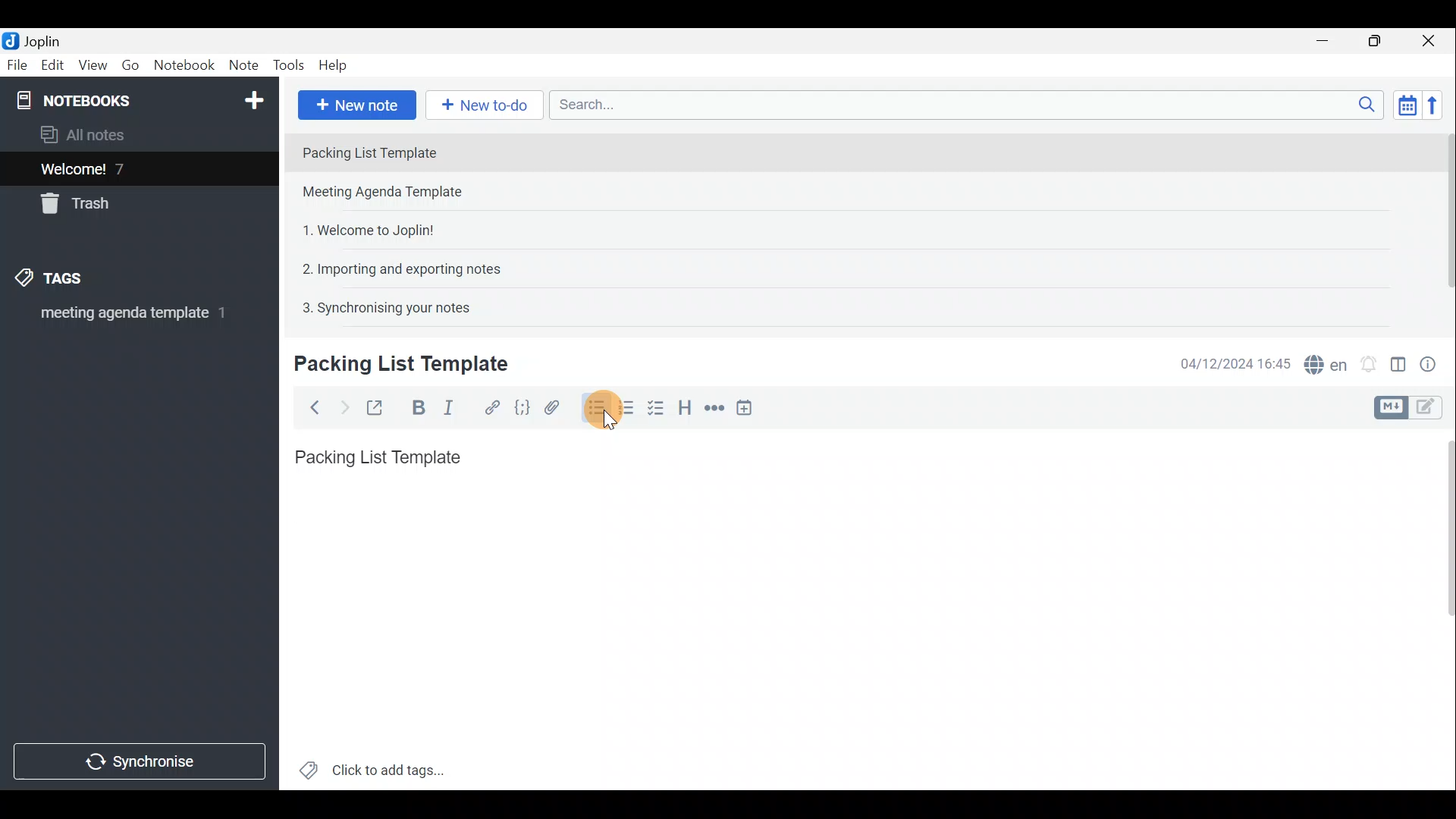 The image size is (1456, 819). Describe the element at coordinates (376, 406) in the screenshot. I see `Toggle external editing` at that location.